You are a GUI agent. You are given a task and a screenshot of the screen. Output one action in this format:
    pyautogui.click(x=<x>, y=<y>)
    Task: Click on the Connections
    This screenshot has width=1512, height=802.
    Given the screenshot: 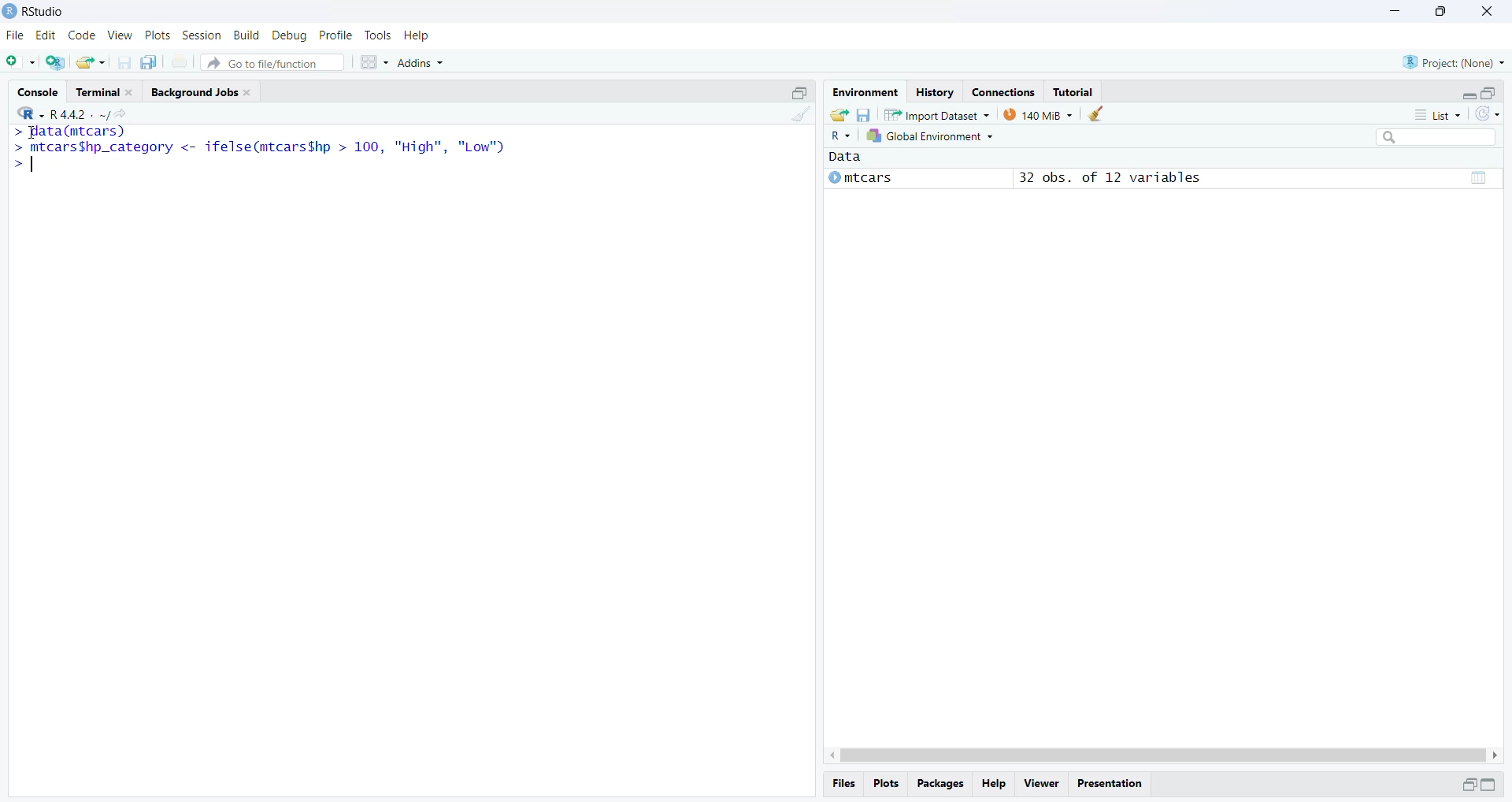 What is the action you would take?
    pyautogui.click(x=1002, y=91)
    